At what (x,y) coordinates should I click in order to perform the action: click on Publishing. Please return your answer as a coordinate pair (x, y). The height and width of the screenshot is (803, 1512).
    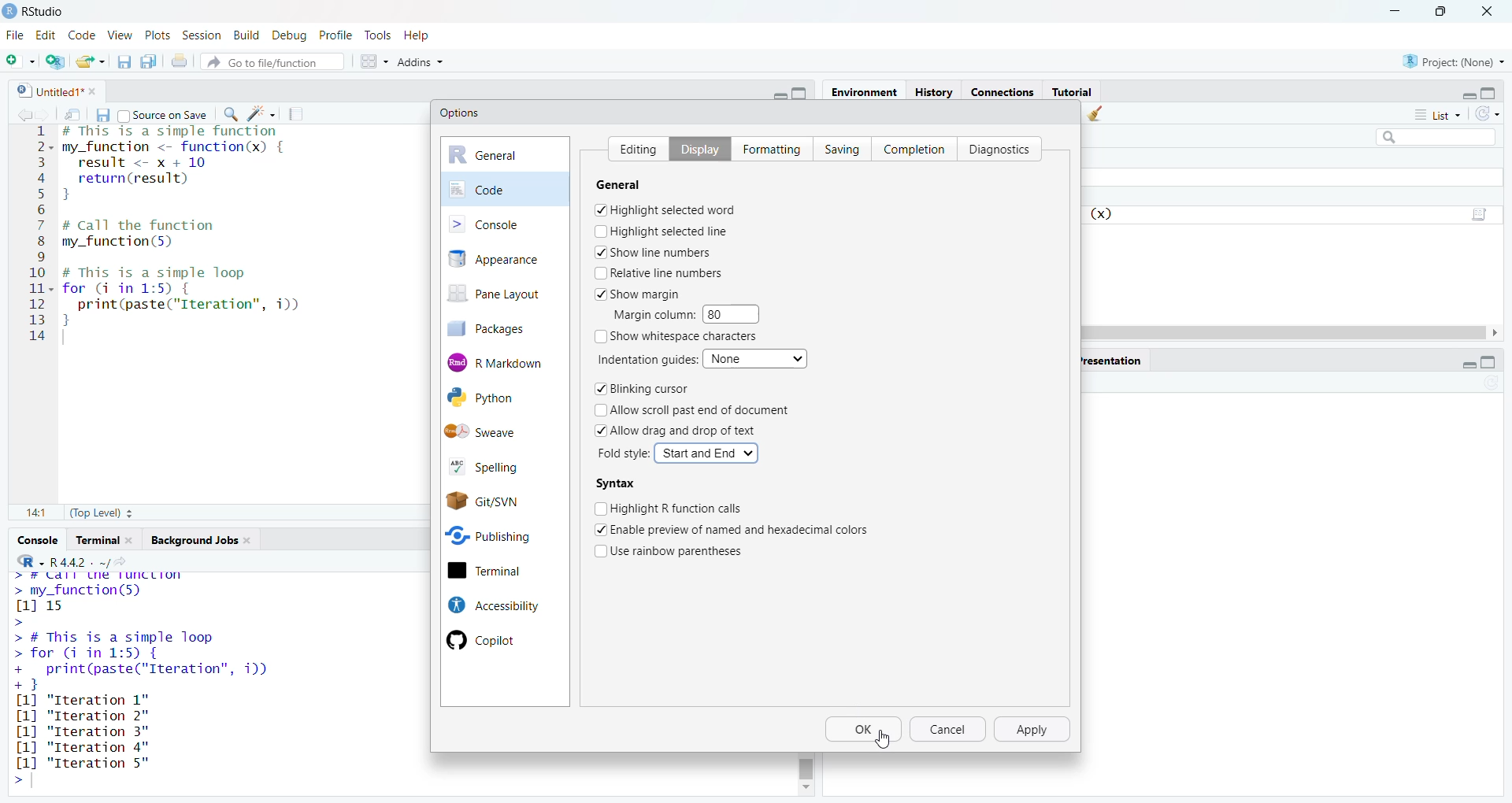
    Looking at the image, I should click on (501, 534).